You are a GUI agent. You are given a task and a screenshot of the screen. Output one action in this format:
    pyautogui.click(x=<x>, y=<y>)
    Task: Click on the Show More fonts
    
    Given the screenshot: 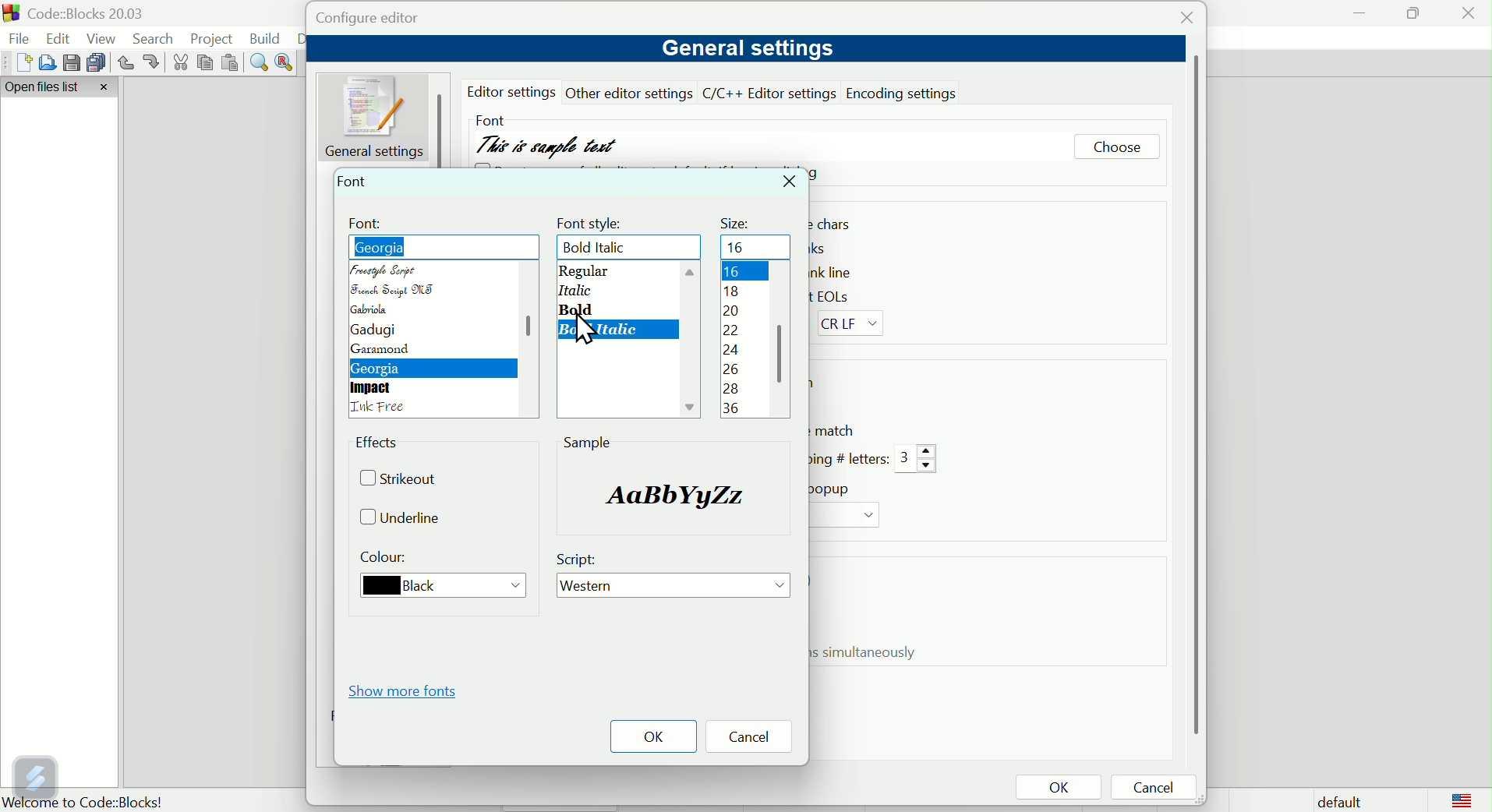 What is the action you would take?
    pyautogui.click(x=408, y=690)
    